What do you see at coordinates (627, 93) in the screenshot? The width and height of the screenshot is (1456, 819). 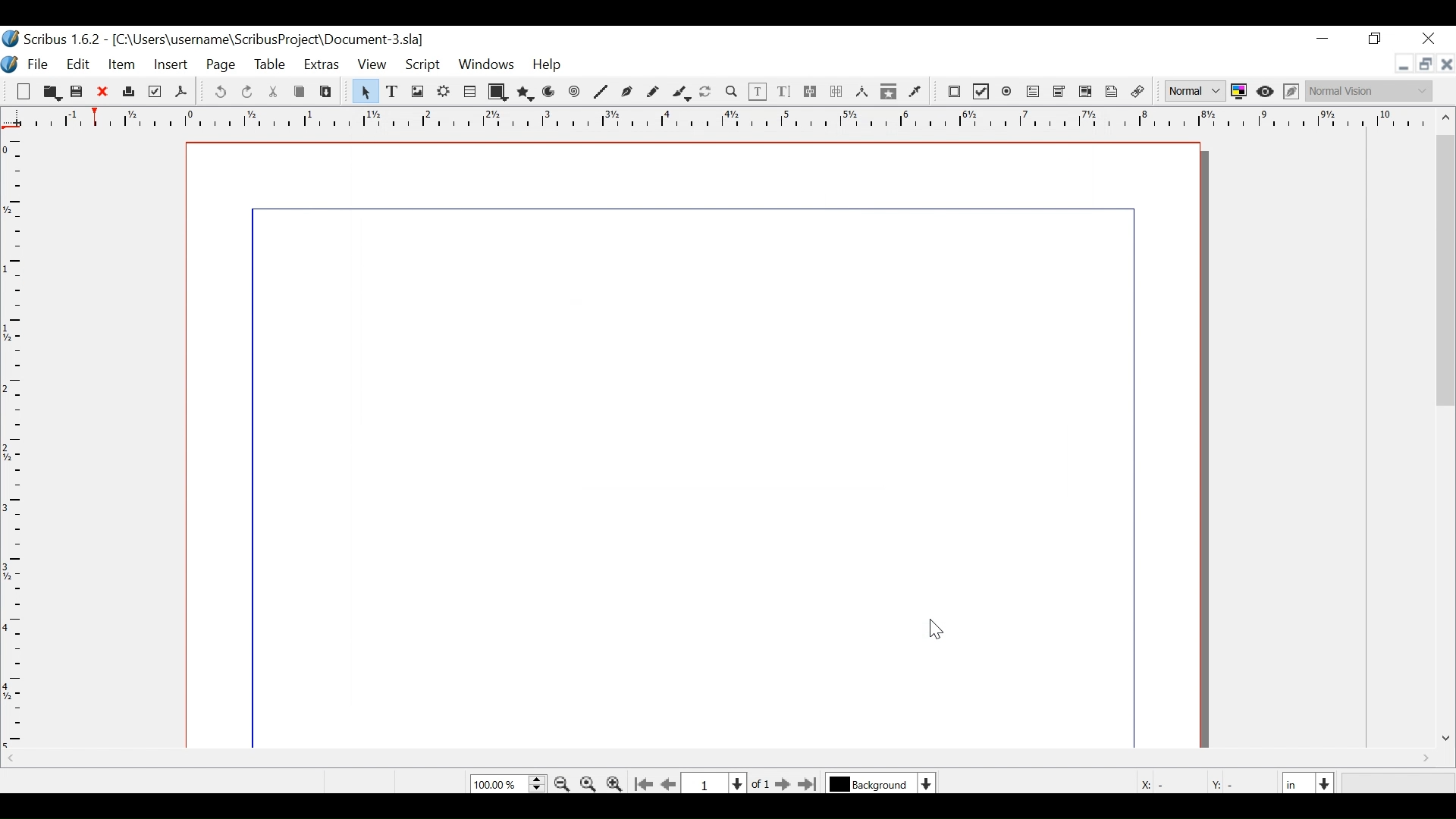 I see `Bezier Curve` at bounding box center [627, 93].